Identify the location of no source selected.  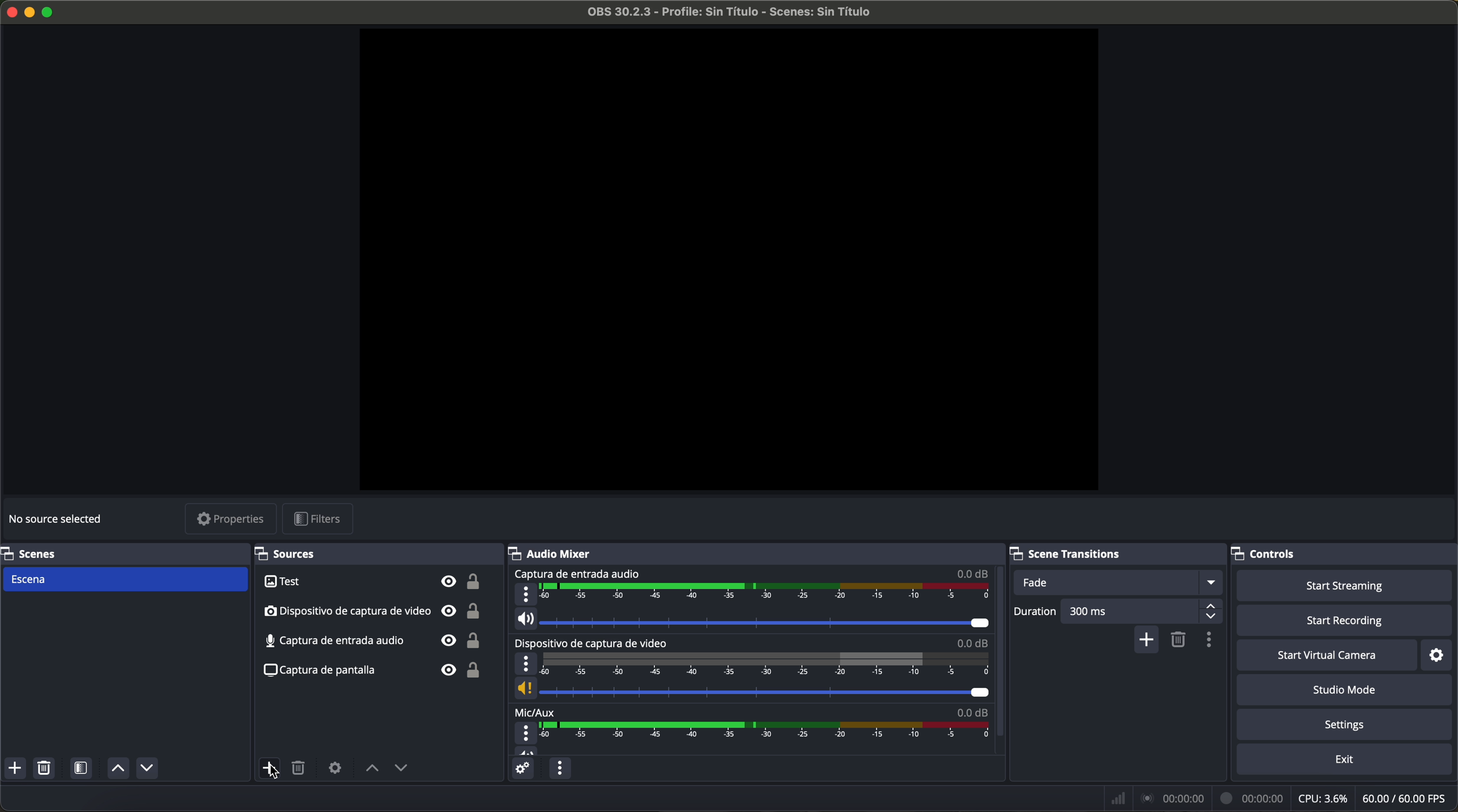
(59, 518).